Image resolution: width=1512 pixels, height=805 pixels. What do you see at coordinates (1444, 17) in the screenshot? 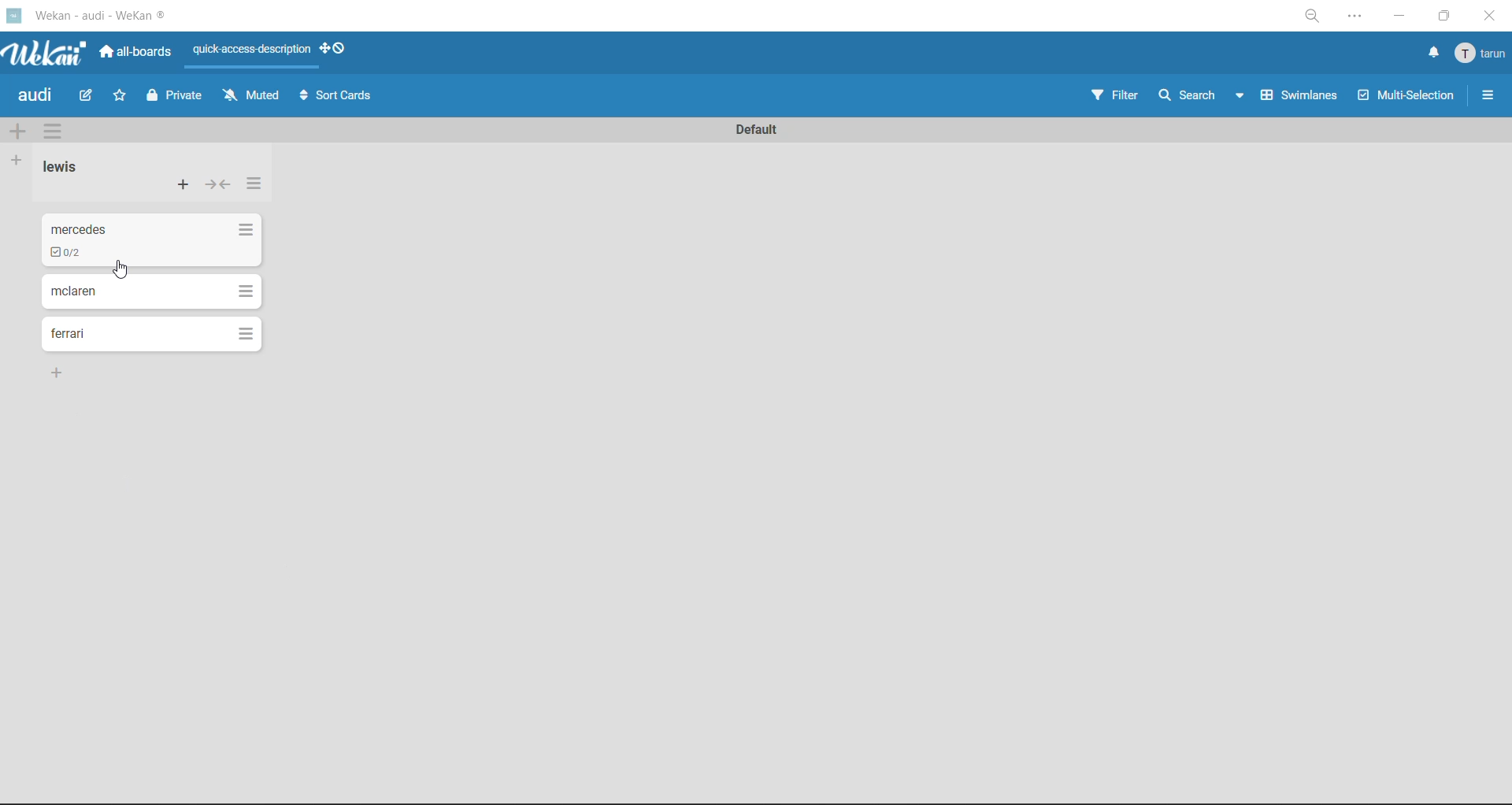
I see `maximize` at bounding box center [1444, 17].